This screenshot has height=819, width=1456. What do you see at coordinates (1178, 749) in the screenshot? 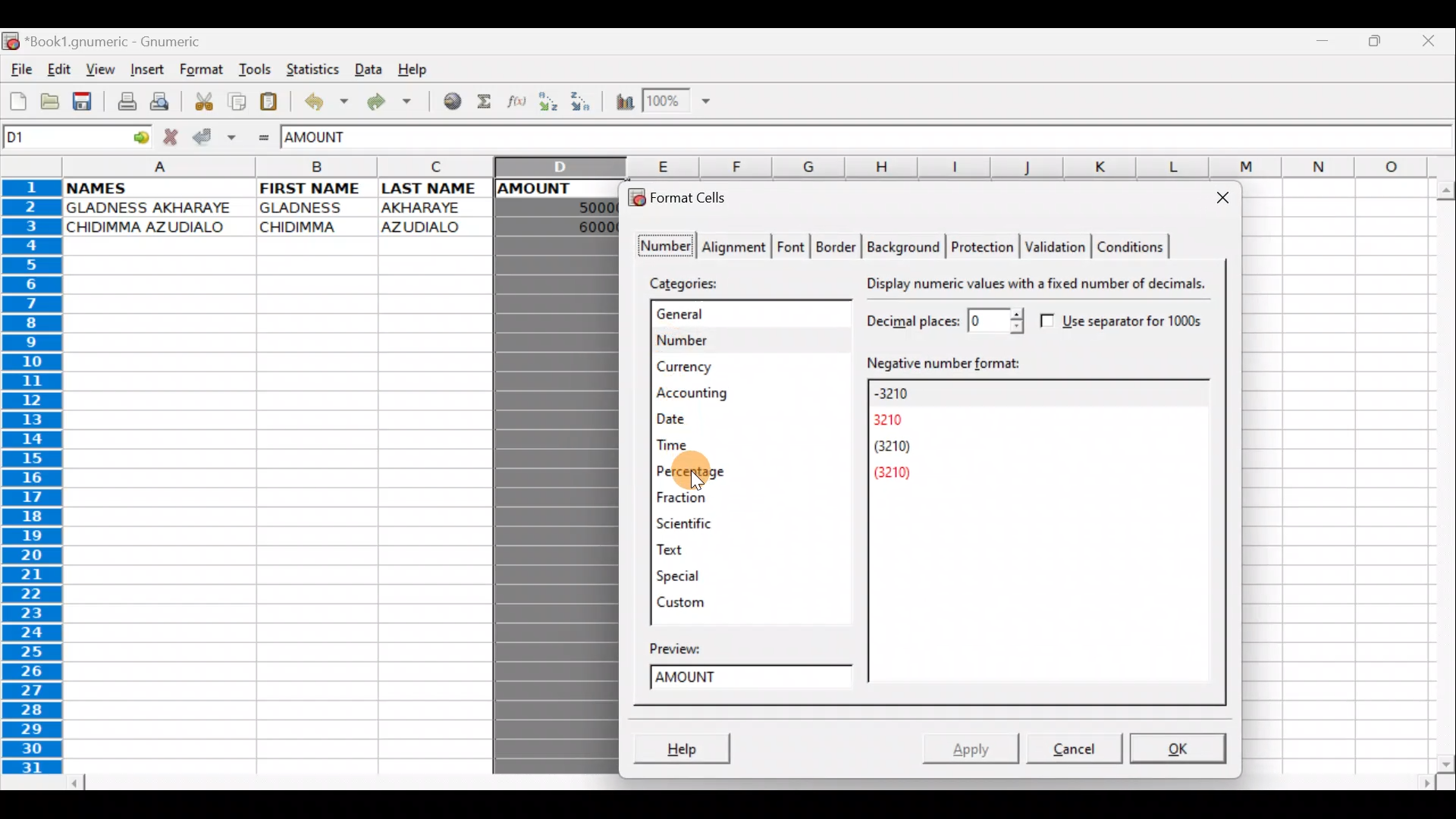
I see `OK` at bounding box center [1178, 749].